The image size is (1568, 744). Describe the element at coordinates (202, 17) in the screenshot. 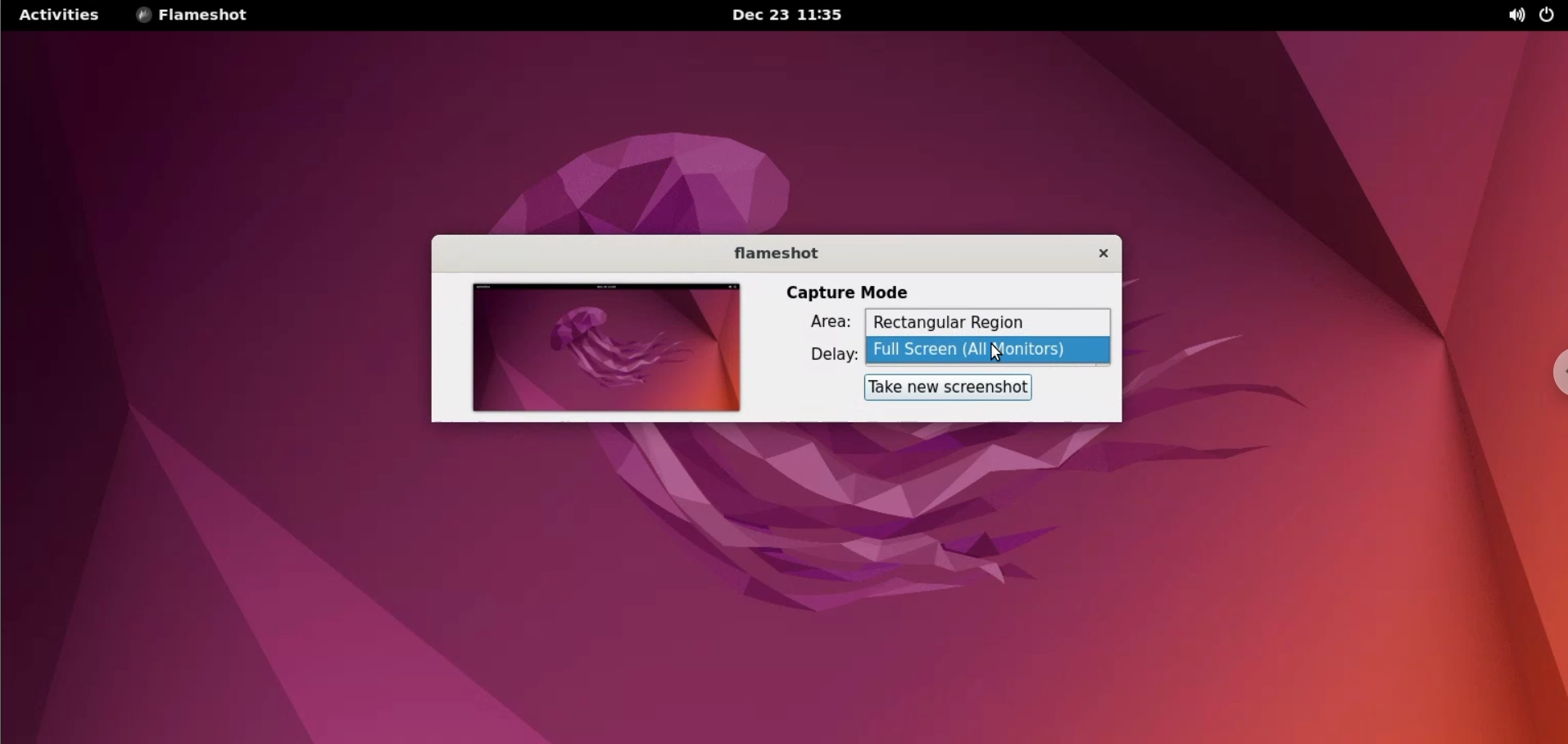

I see `flameshot options` at that location.